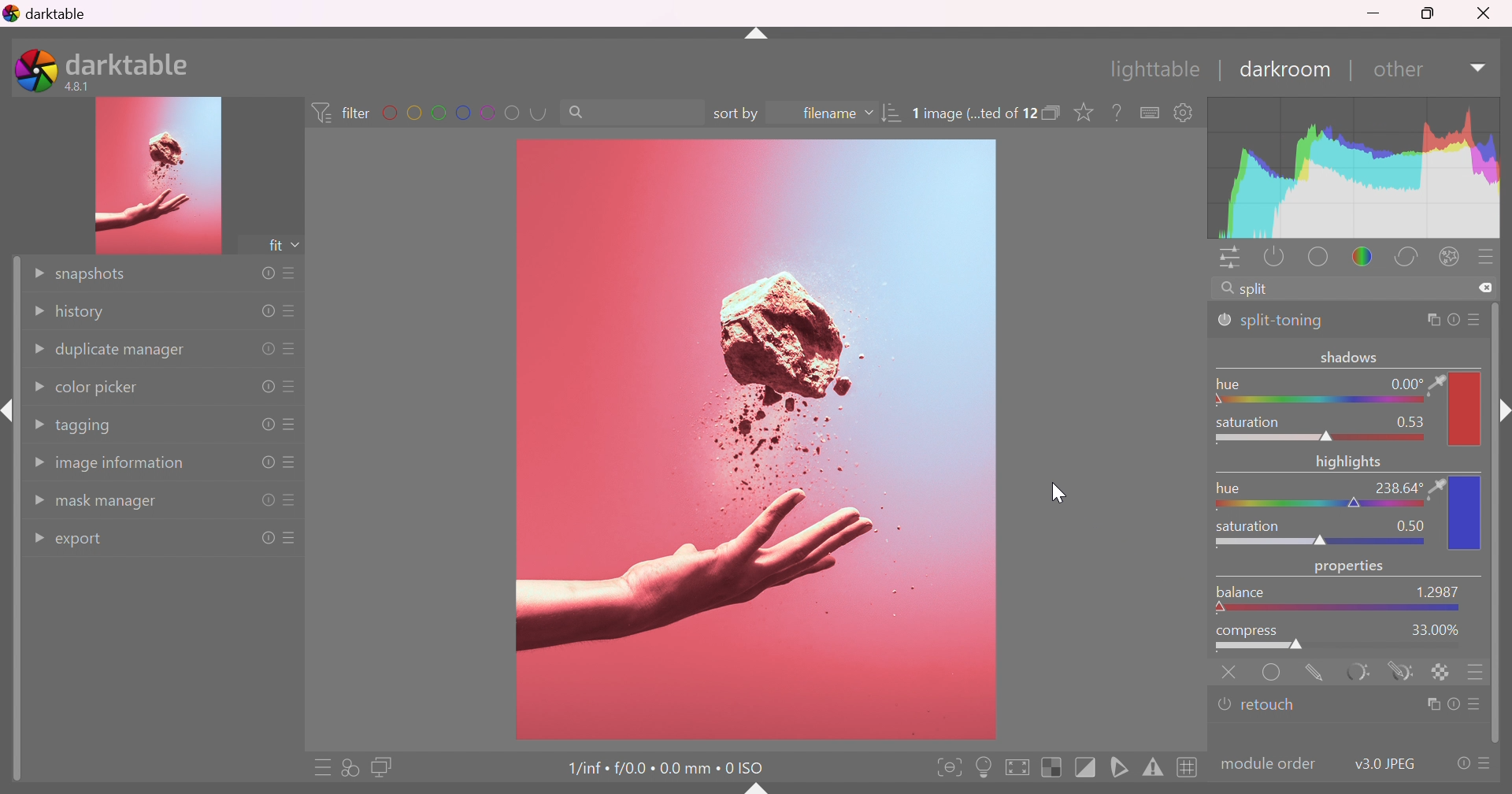 The height and width of the screenshot is (794, 1512). Describe the element at coordinates (1050, 766) in the screenshot. I see `toggle indication of raw overexposure` at that location.